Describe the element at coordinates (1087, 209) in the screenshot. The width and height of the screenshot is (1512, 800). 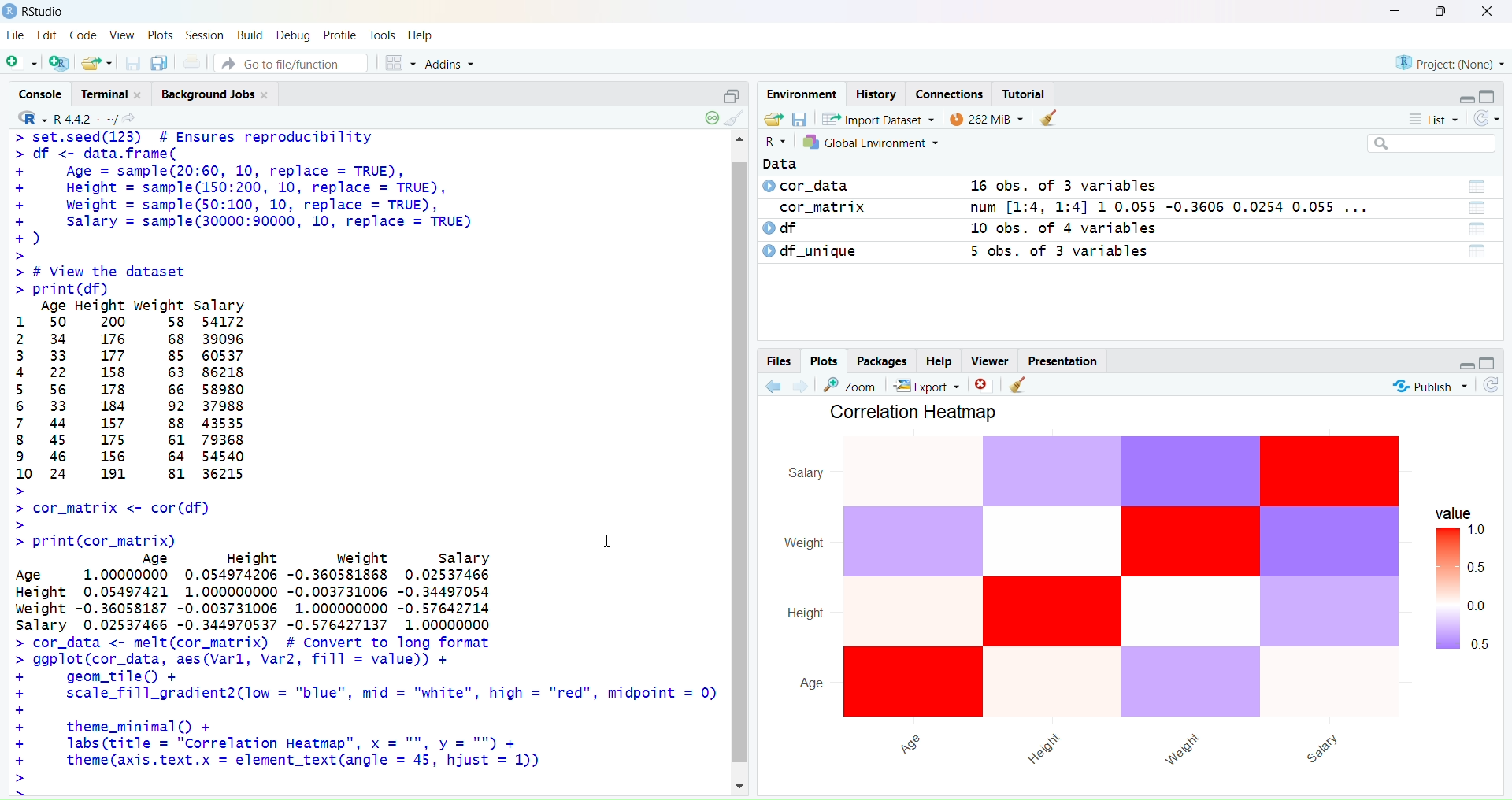
I see `cor_matrix num [1:4, 1:4] 1 0.055 -0.3606 0.0254 0.055 ...` at that location.